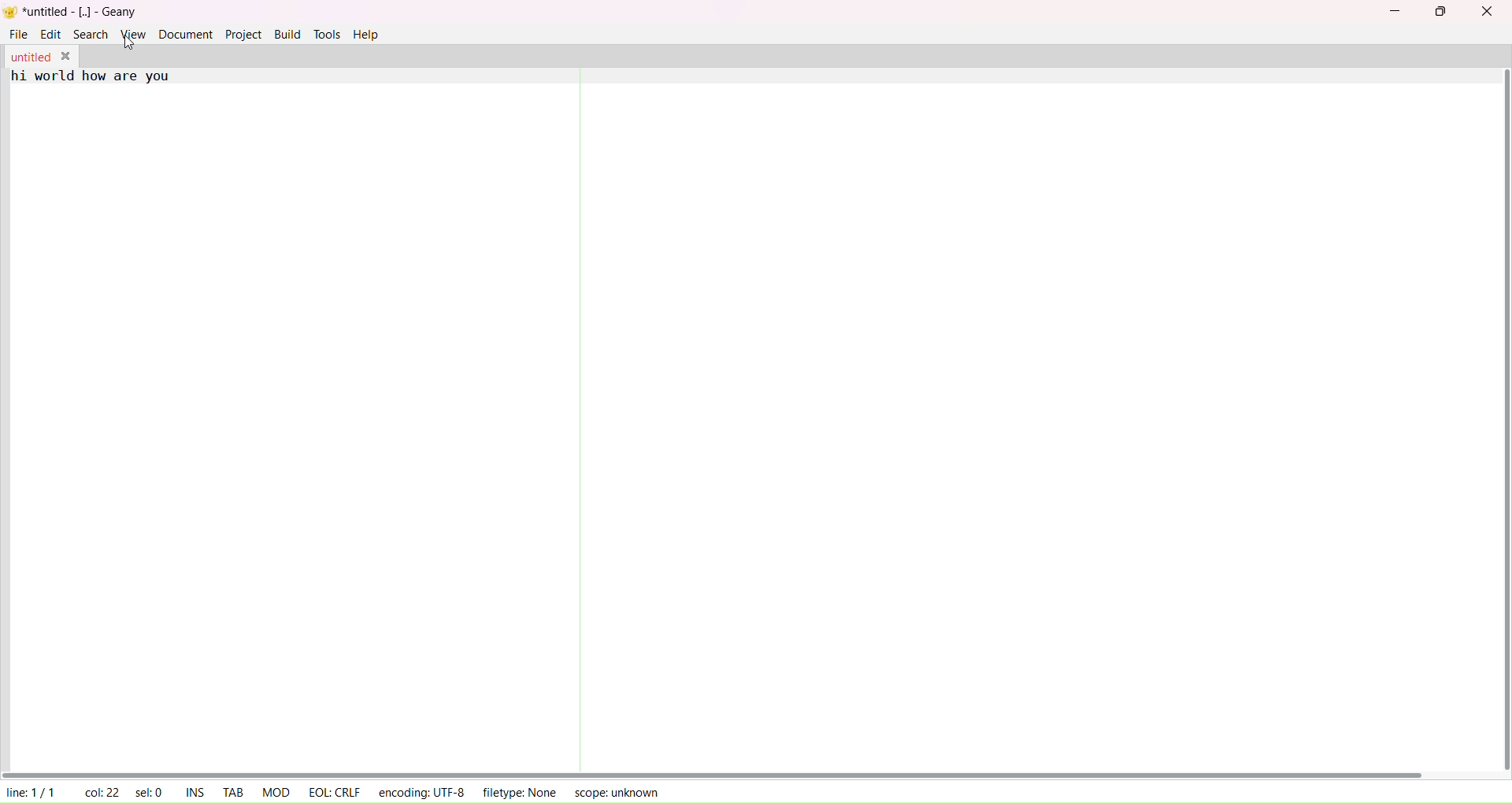 This screenshot has height=803, width=1512. What do you see at coordinates (80, 13) in the screenshot?
I see `title` at bounding box center [80, 13].